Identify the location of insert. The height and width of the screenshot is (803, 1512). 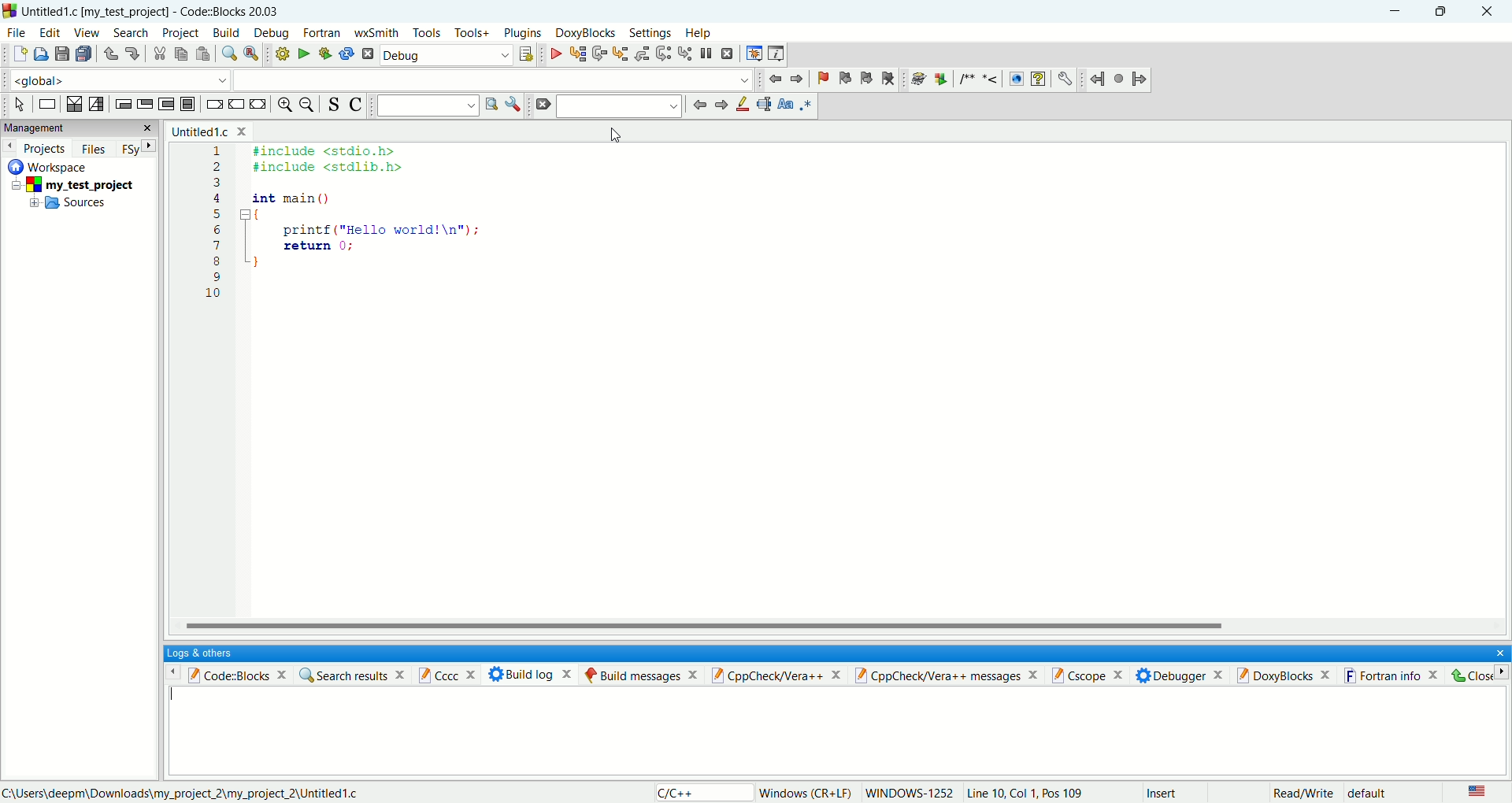
(1161, 791).